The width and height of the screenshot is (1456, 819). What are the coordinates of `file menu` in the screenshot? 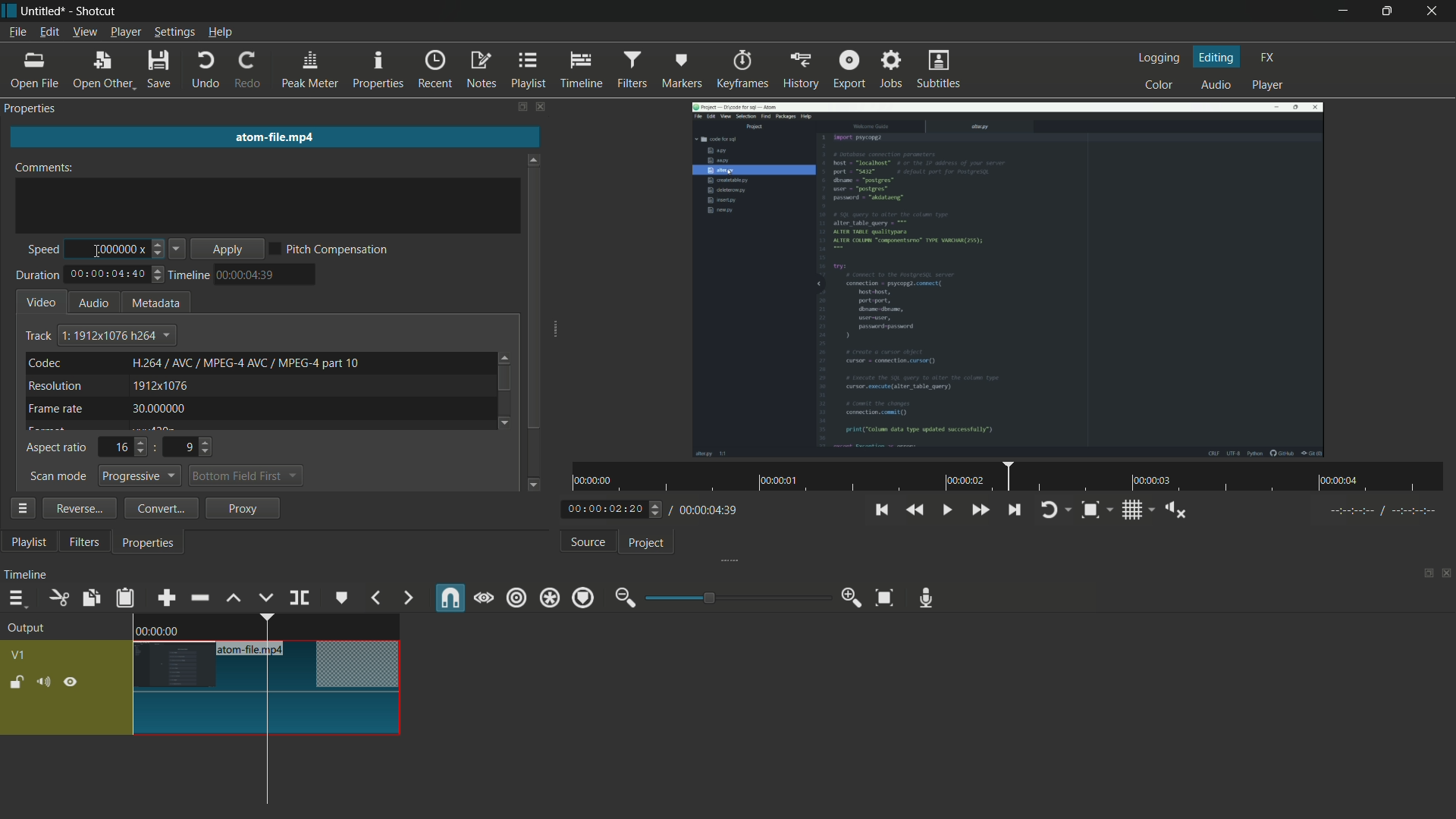 It's located at (18, 33).